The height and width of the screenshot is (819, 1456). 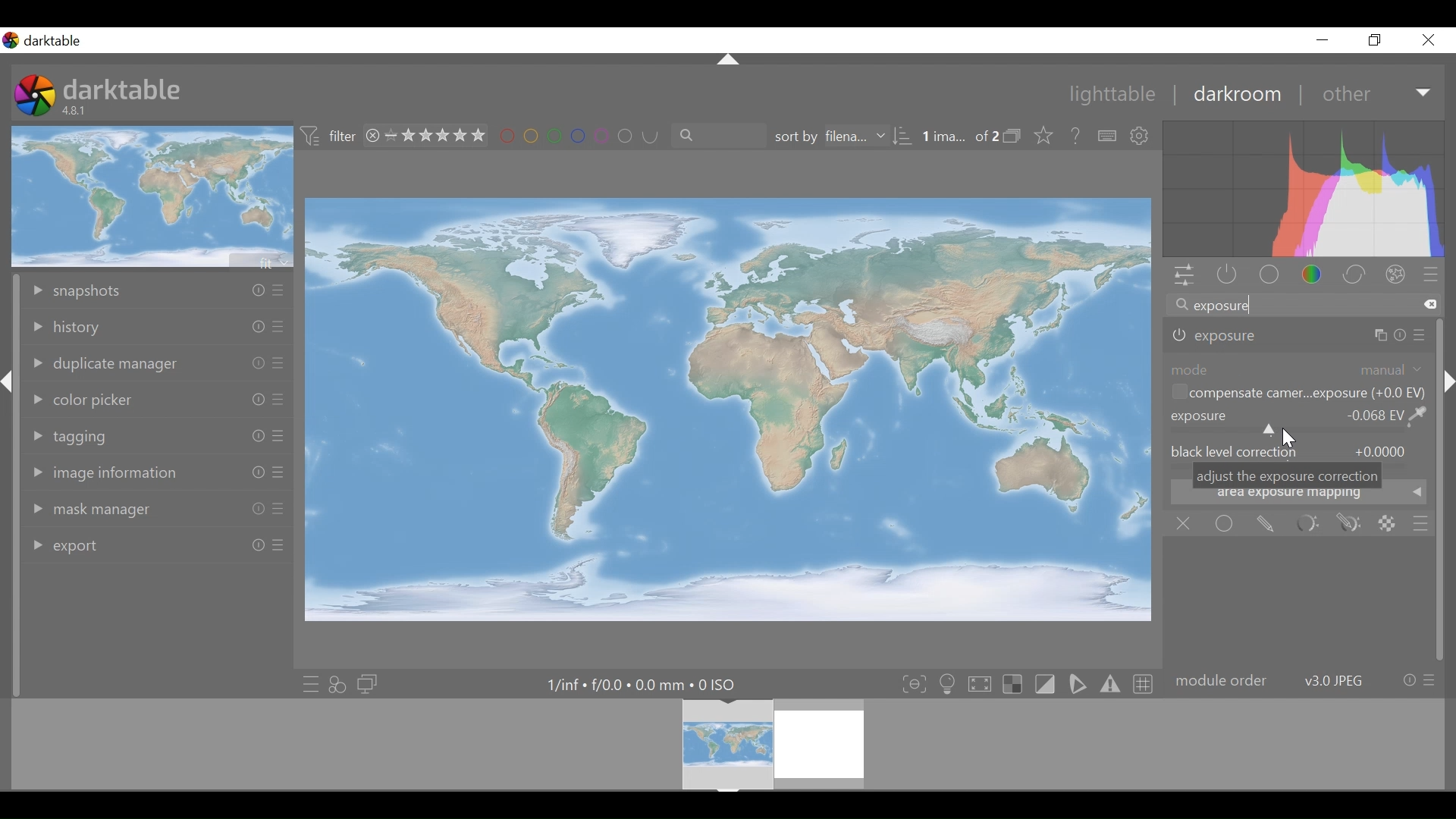 I want to click on uniform, so click(x=1225, y=522).